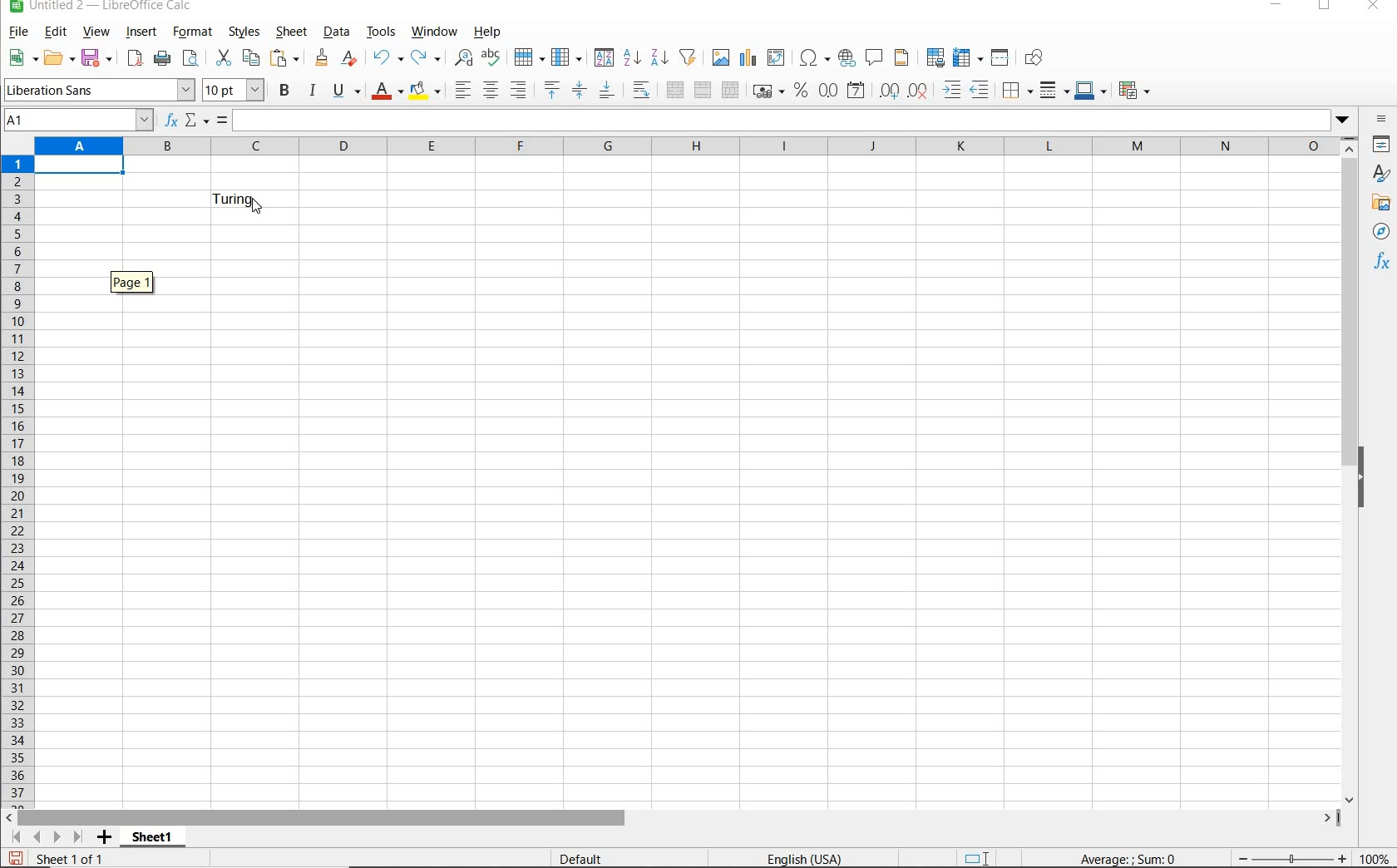  I want to click on DEFAULT, so click(581, 856).